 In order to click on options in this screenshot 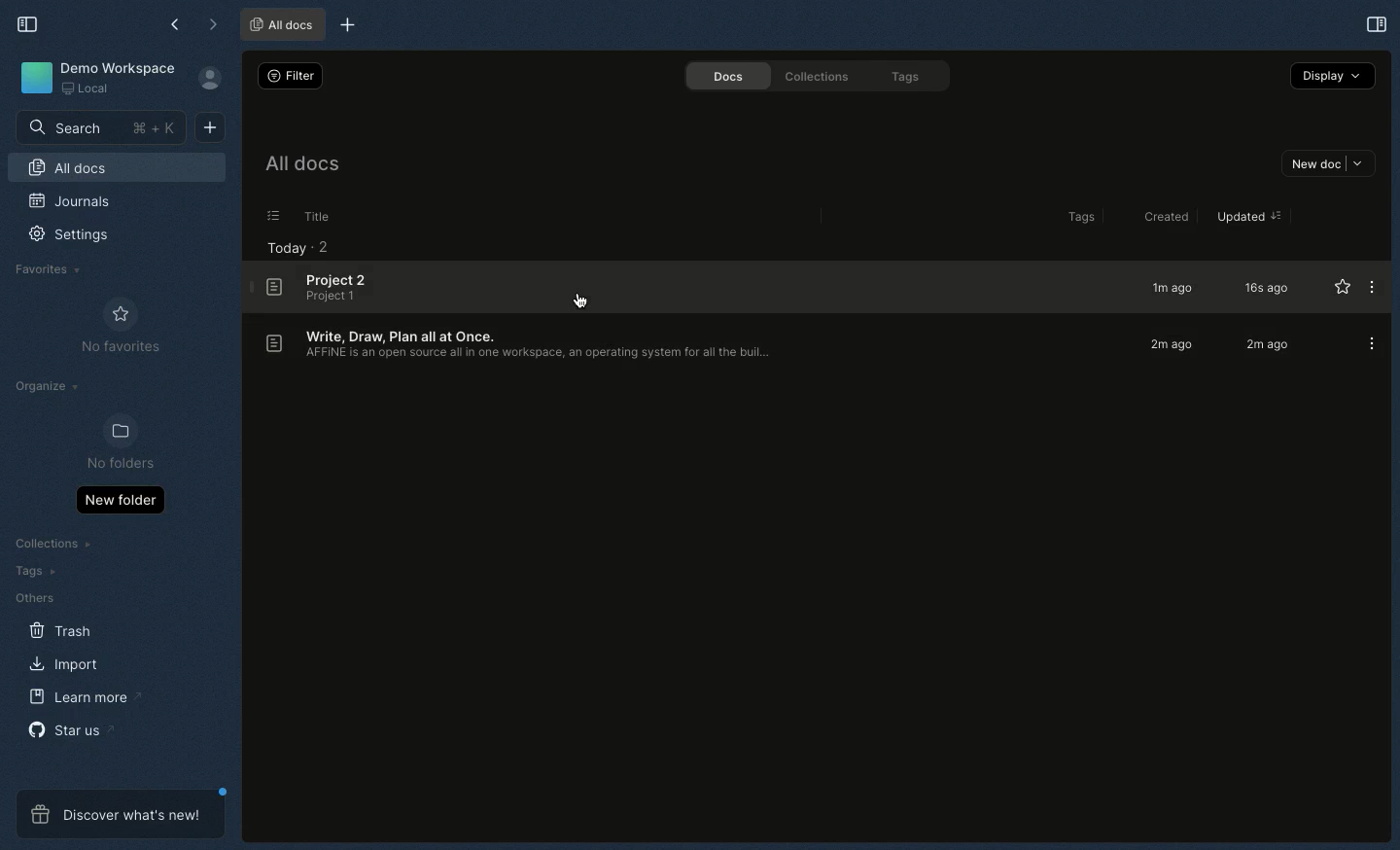, I will do `click(267, 216)`.